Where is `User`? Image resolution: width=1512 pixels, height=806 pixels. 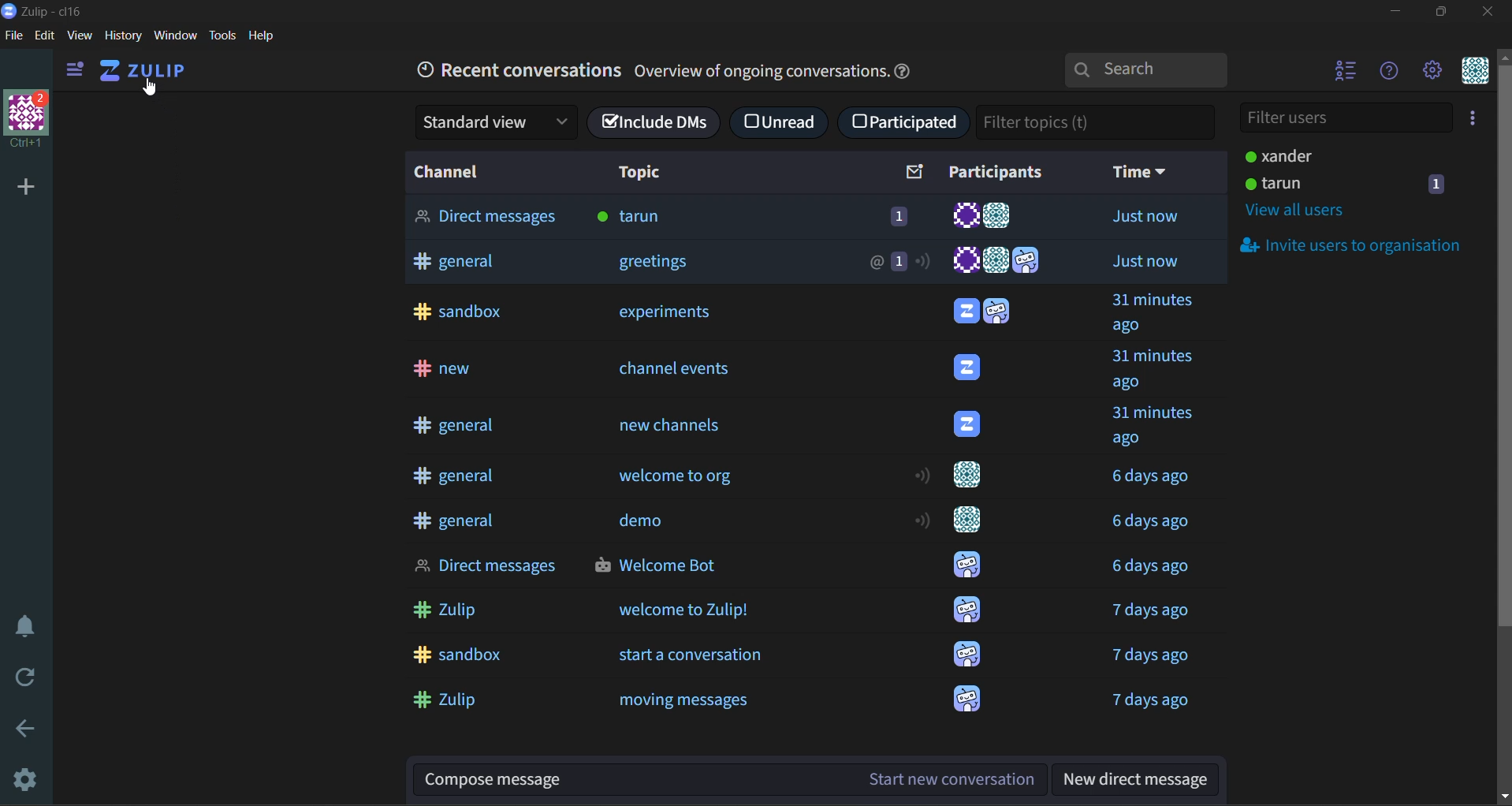 User is located at coordinates (962, 521).